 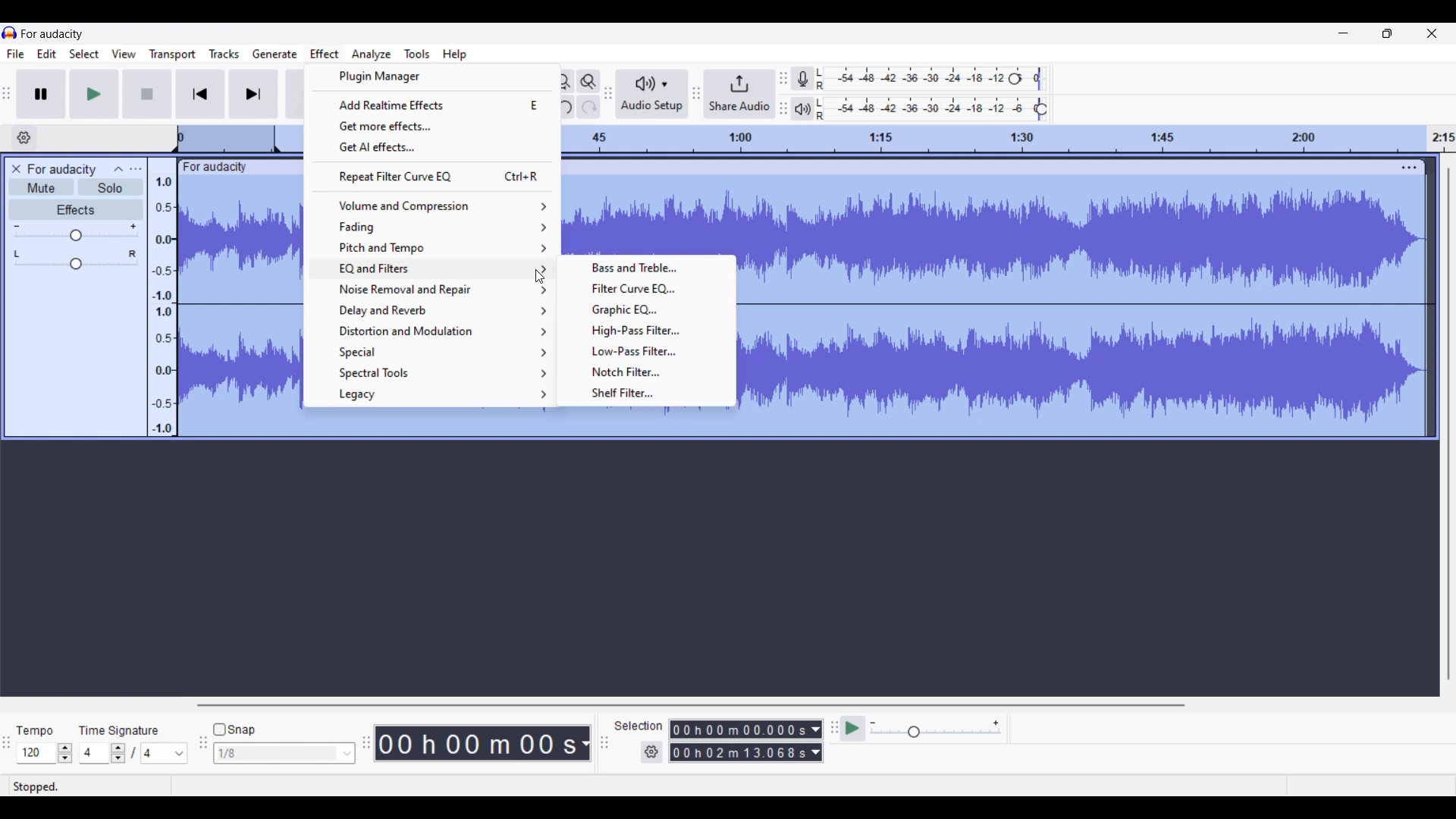 What do you see at coordinates (119, 168) in the screenshot?
I see `Collapse` at bounding box center [119, 168].